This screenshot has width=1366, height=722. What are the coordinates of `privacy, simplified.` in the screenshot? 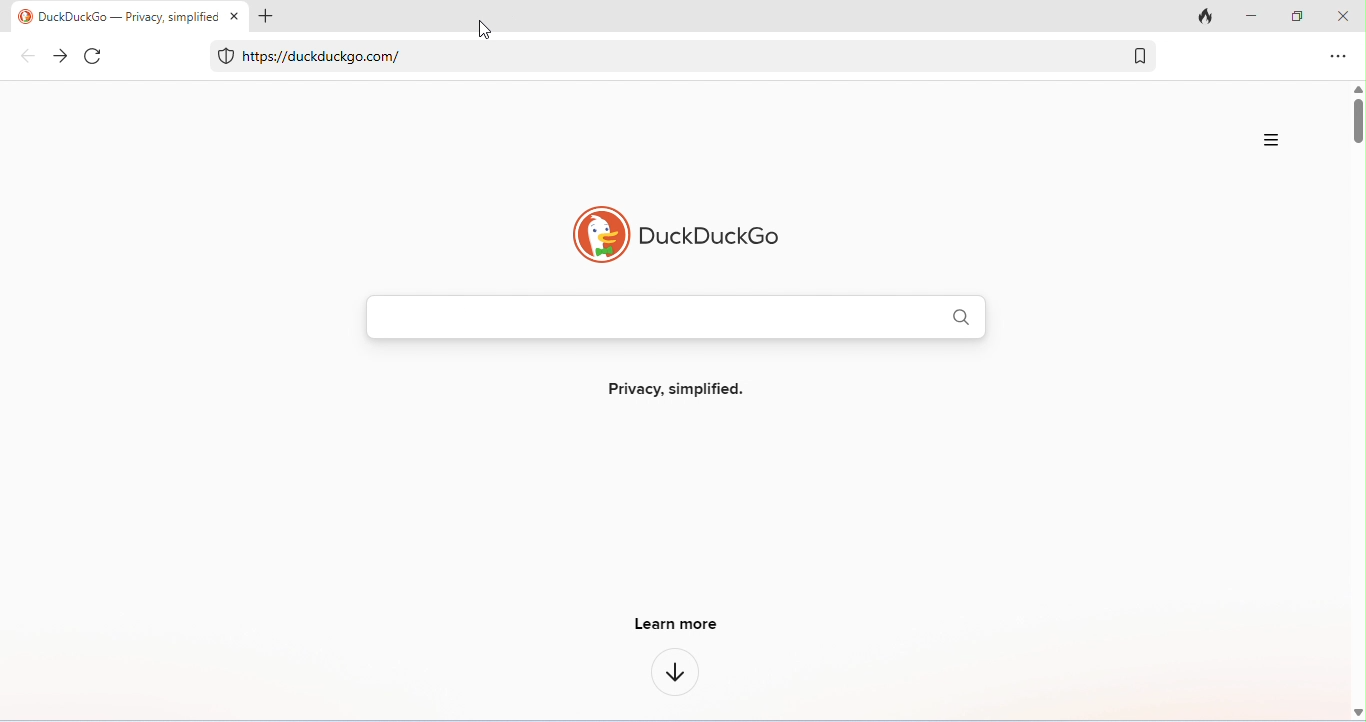 It's located at (673, 386).